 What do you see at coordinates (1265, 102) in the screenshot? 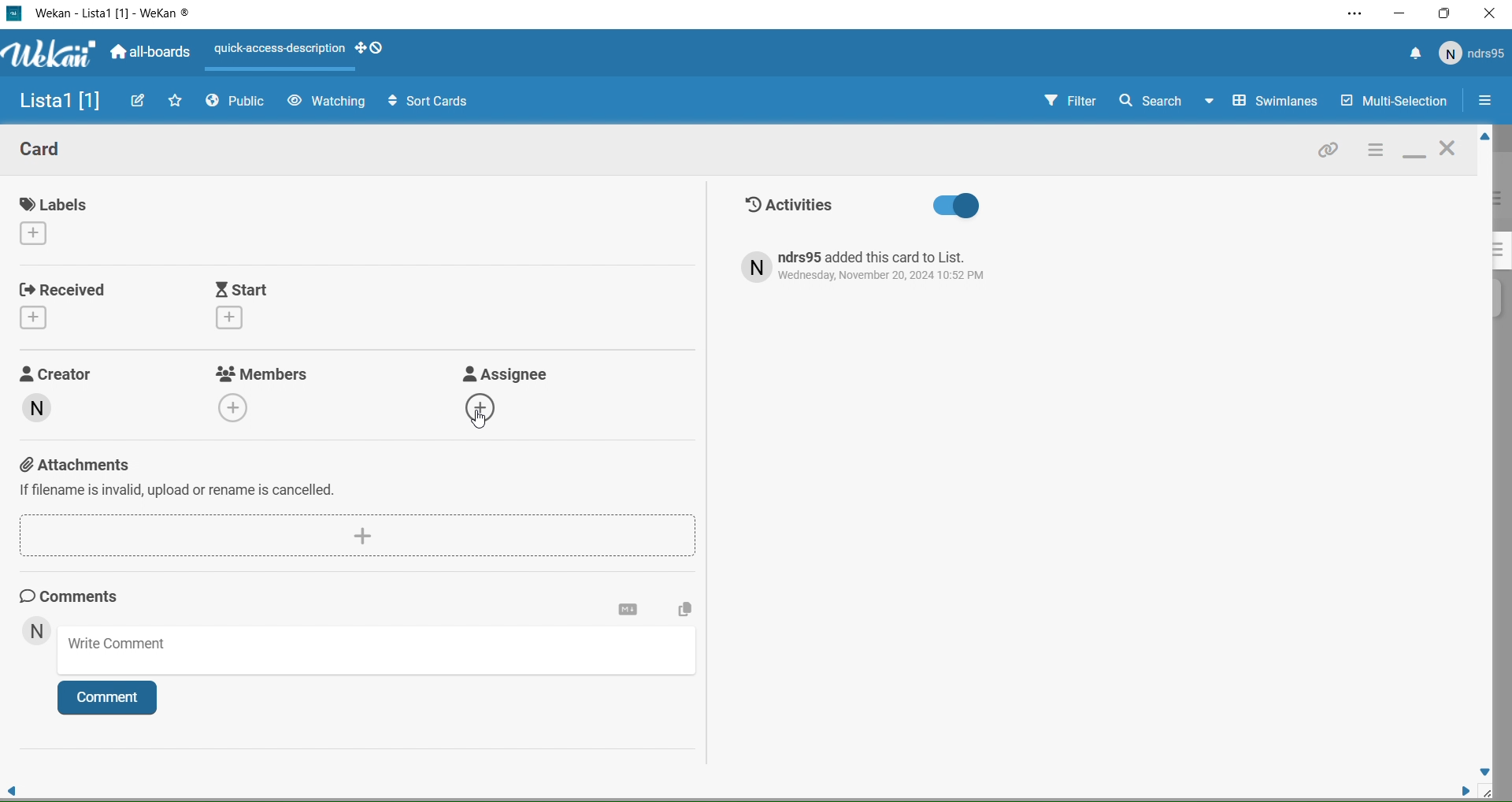
I see `Swimlines` at bounding box center [1265, 102].